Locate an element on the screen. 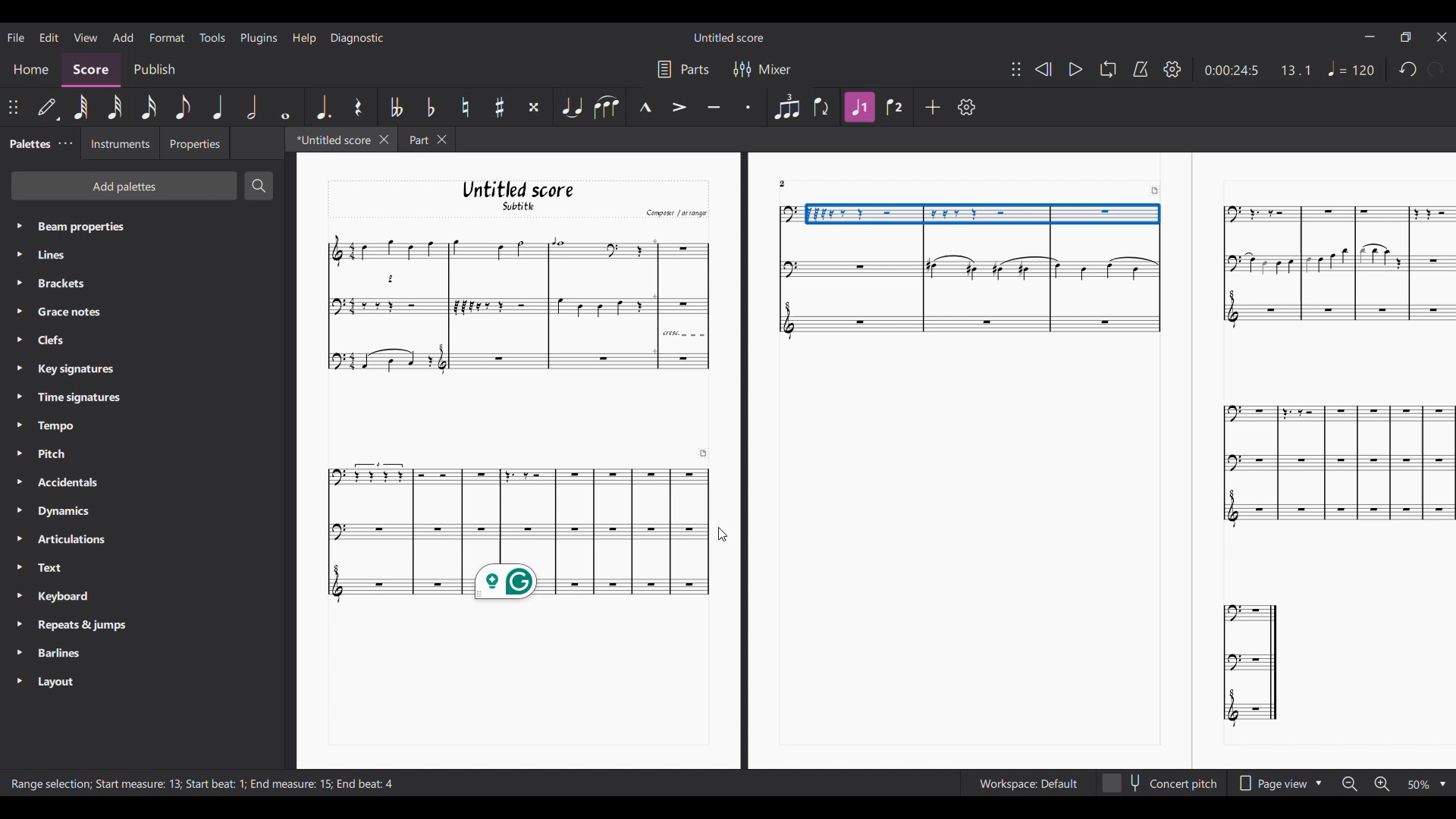 The width and height of the screenshot is (1456, 819). > Barlines is located at coordinates (57, 654).